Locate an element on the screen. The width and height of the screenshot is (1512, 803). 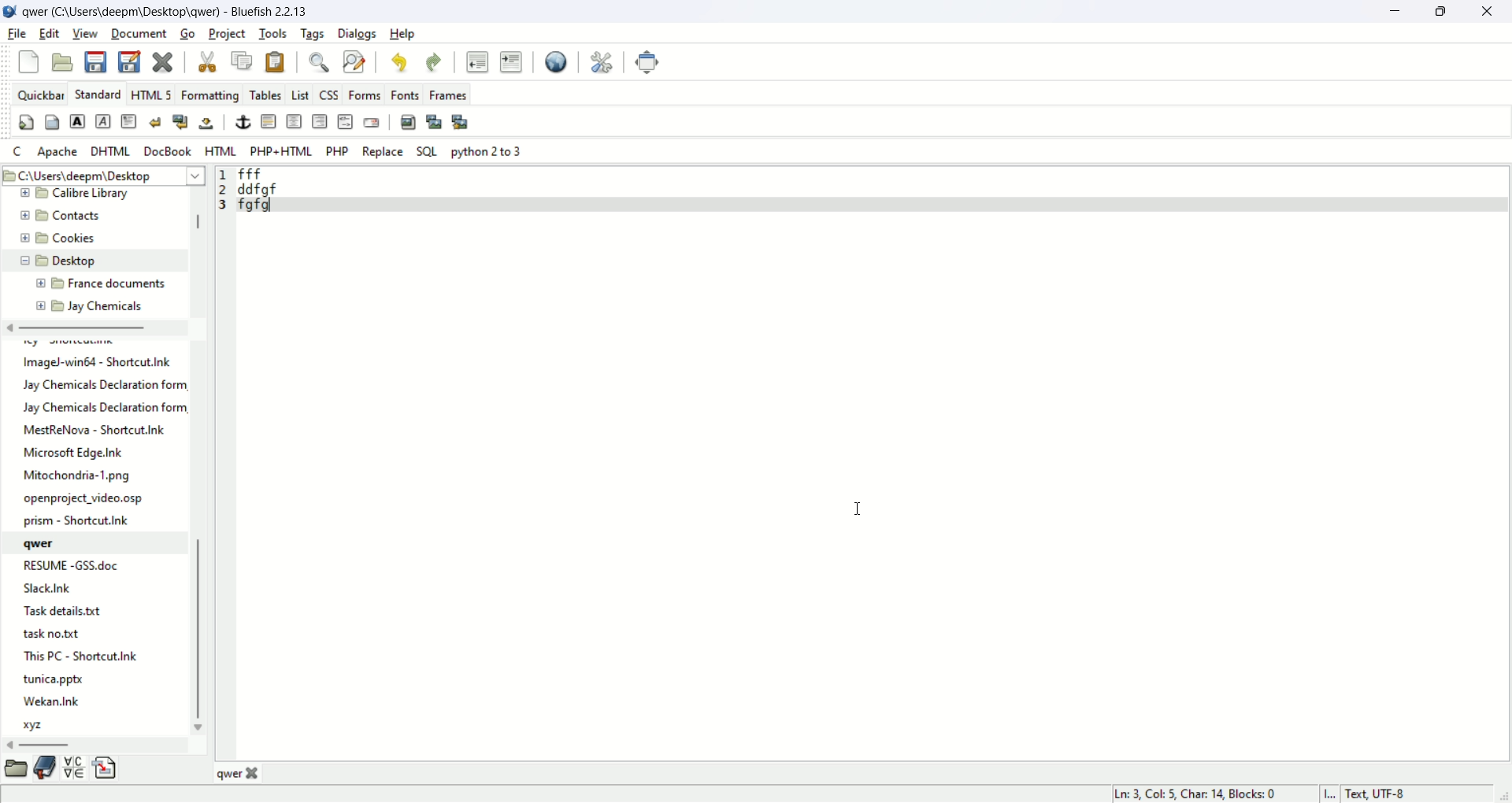
right justify is located at coordinates (320, 120).